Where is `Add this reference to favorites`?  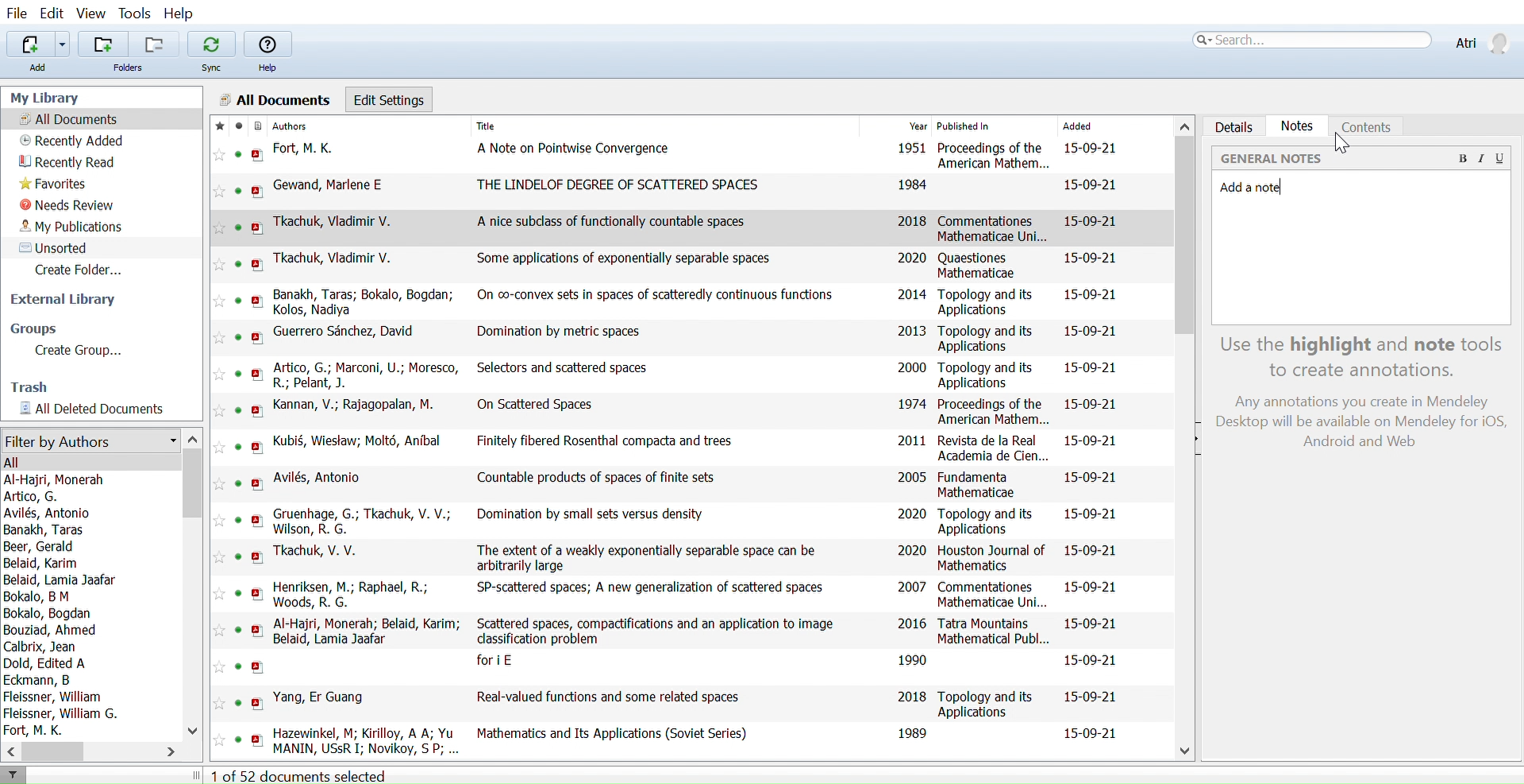
Add this reference to favorites is located at coordinates (221, 156).